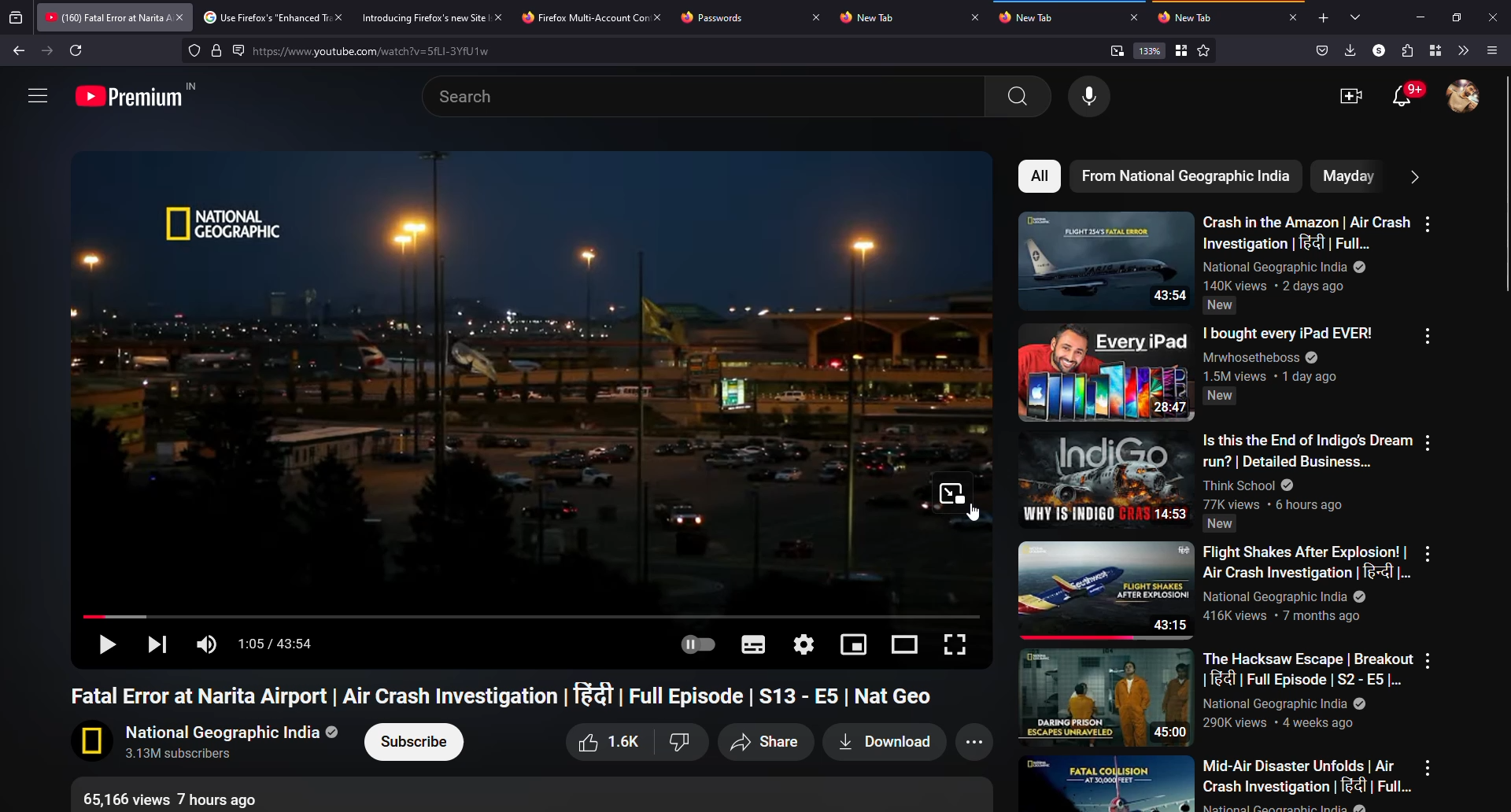 The height and width of the screenshot is (812, 1511). I want to click on tab, so click(875, 18).